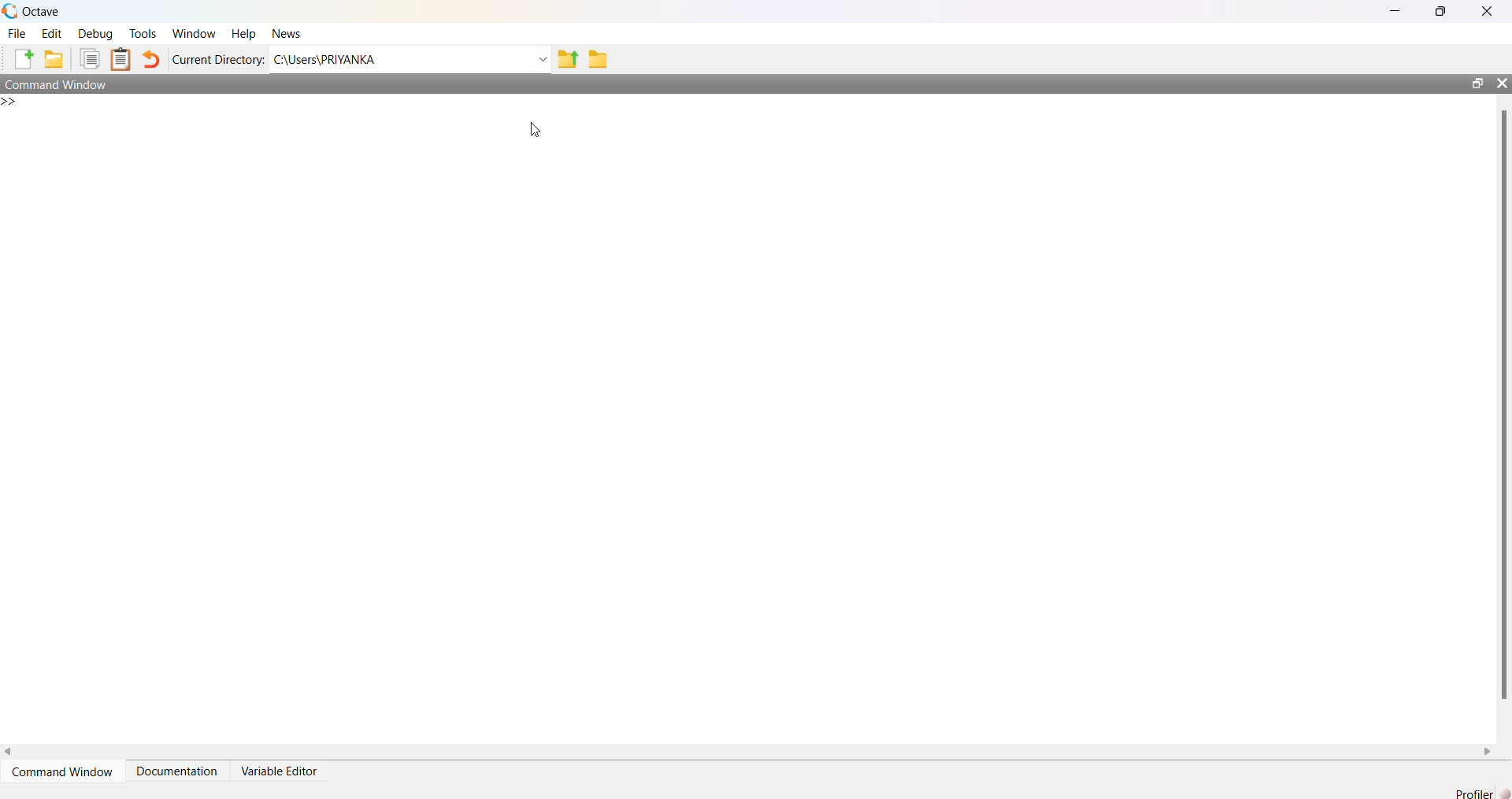 The height and width of the screenshot is (799, 1512). What do you see at coordinates (50, 32) in the screenshot?
I see `Edit` at bounding box center [50, 32].